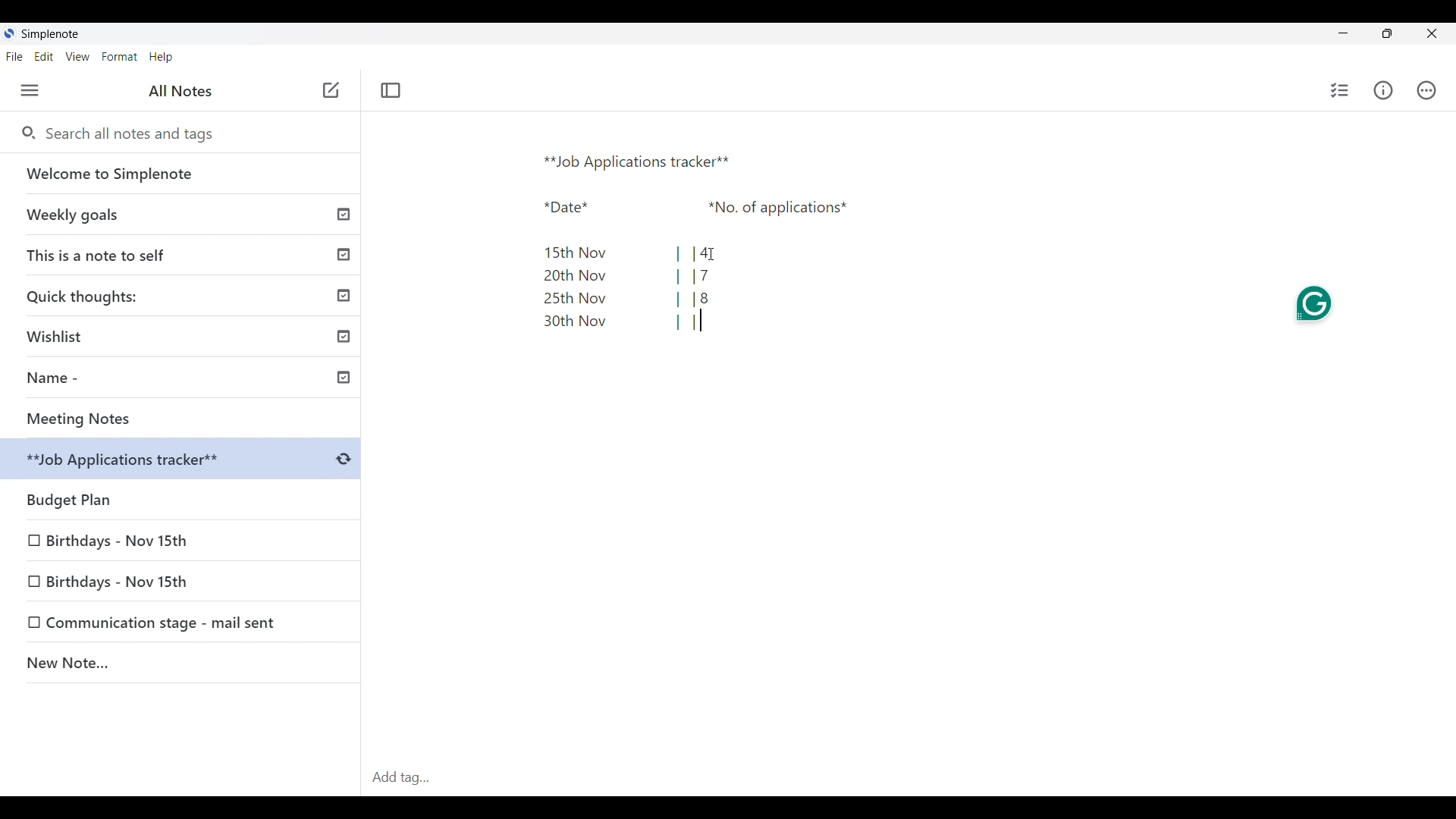 The height and width of the screenshot is (819, 1456). Describe the element at coordinates (184, 461) in the screenshot. I see `Budget Plan` at that location.